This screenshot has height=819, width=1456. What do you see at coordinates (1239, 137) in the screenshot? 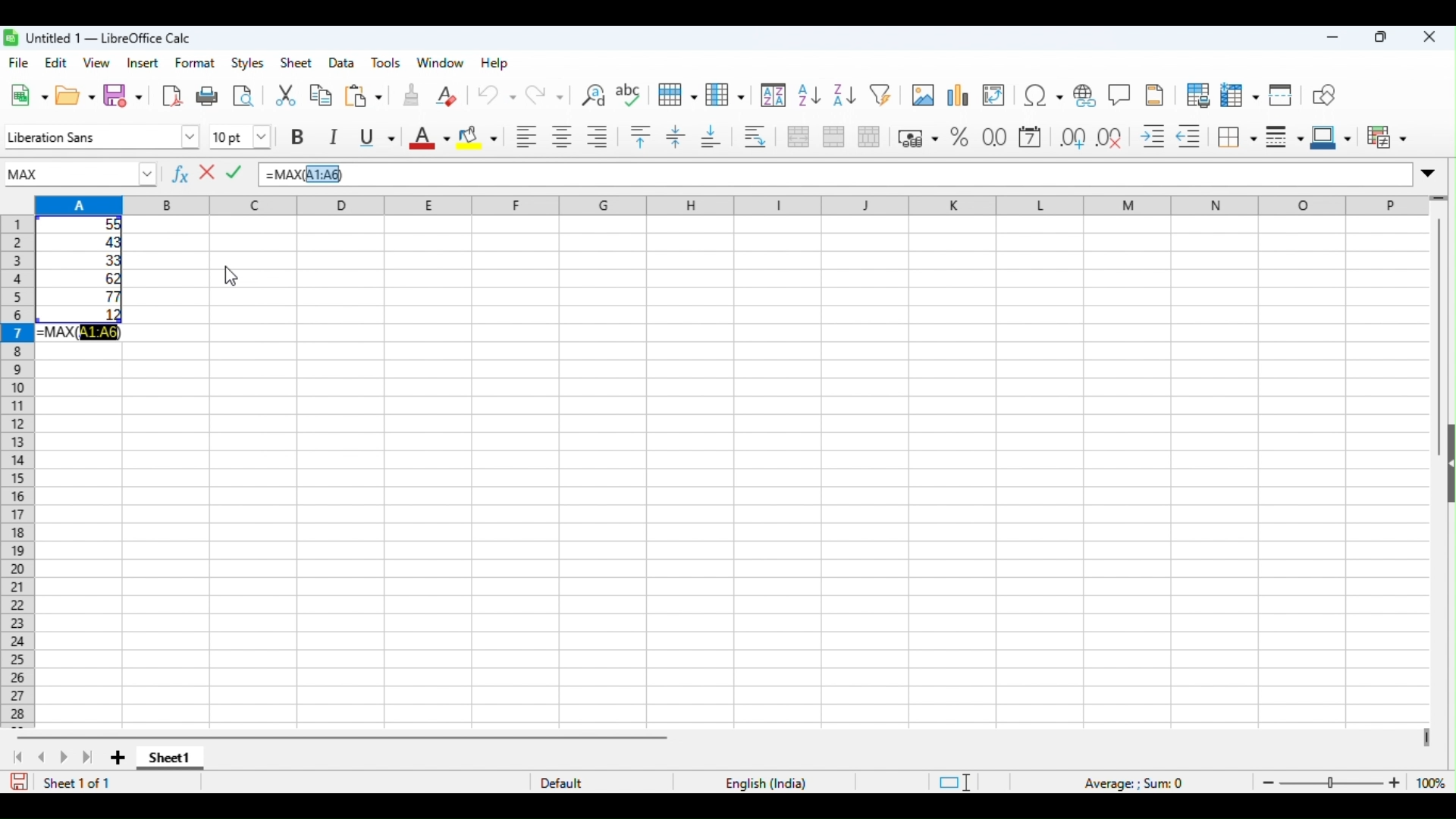
I see `border` at bounding box center [1239, 137].